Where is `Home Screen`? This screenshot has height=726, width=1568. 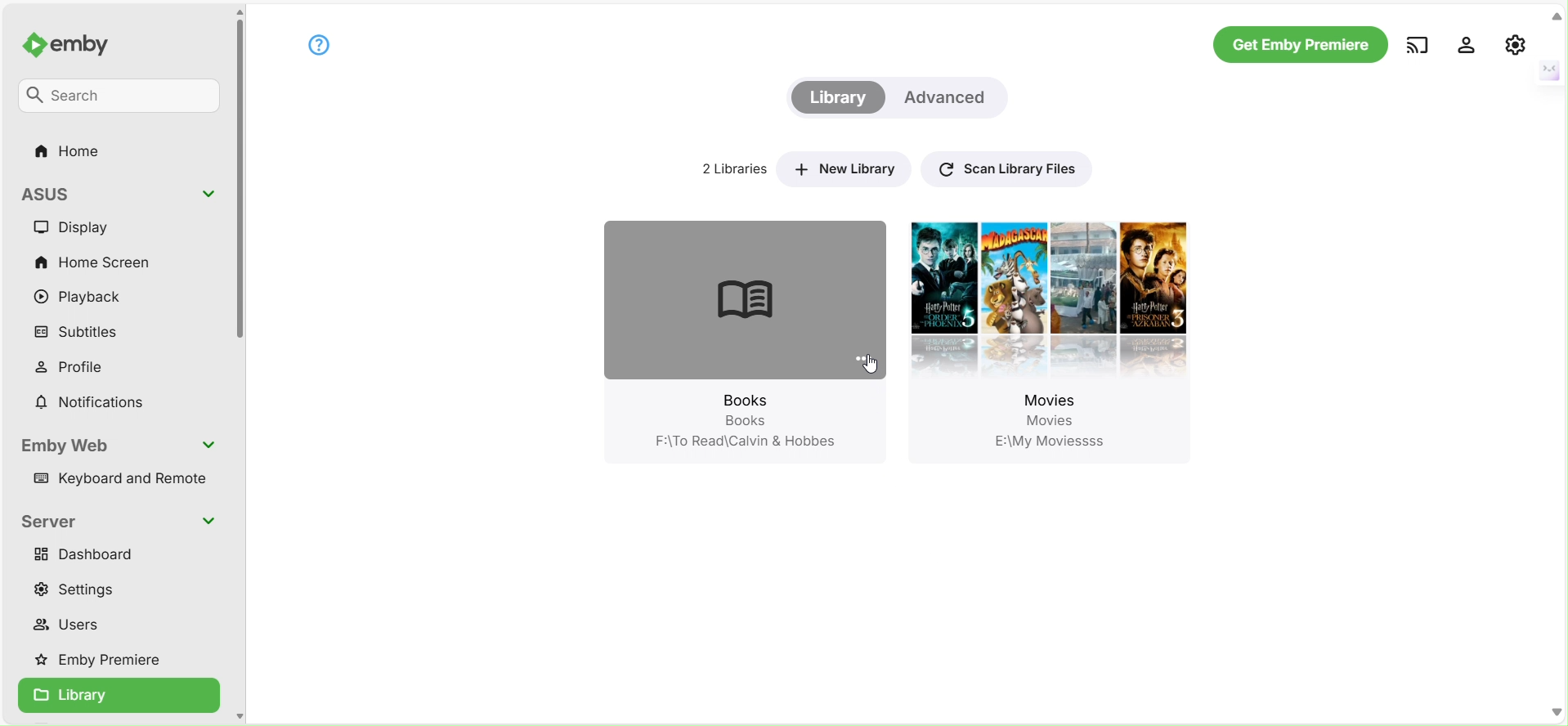 Home Screen is located at coordinates (93, 260).